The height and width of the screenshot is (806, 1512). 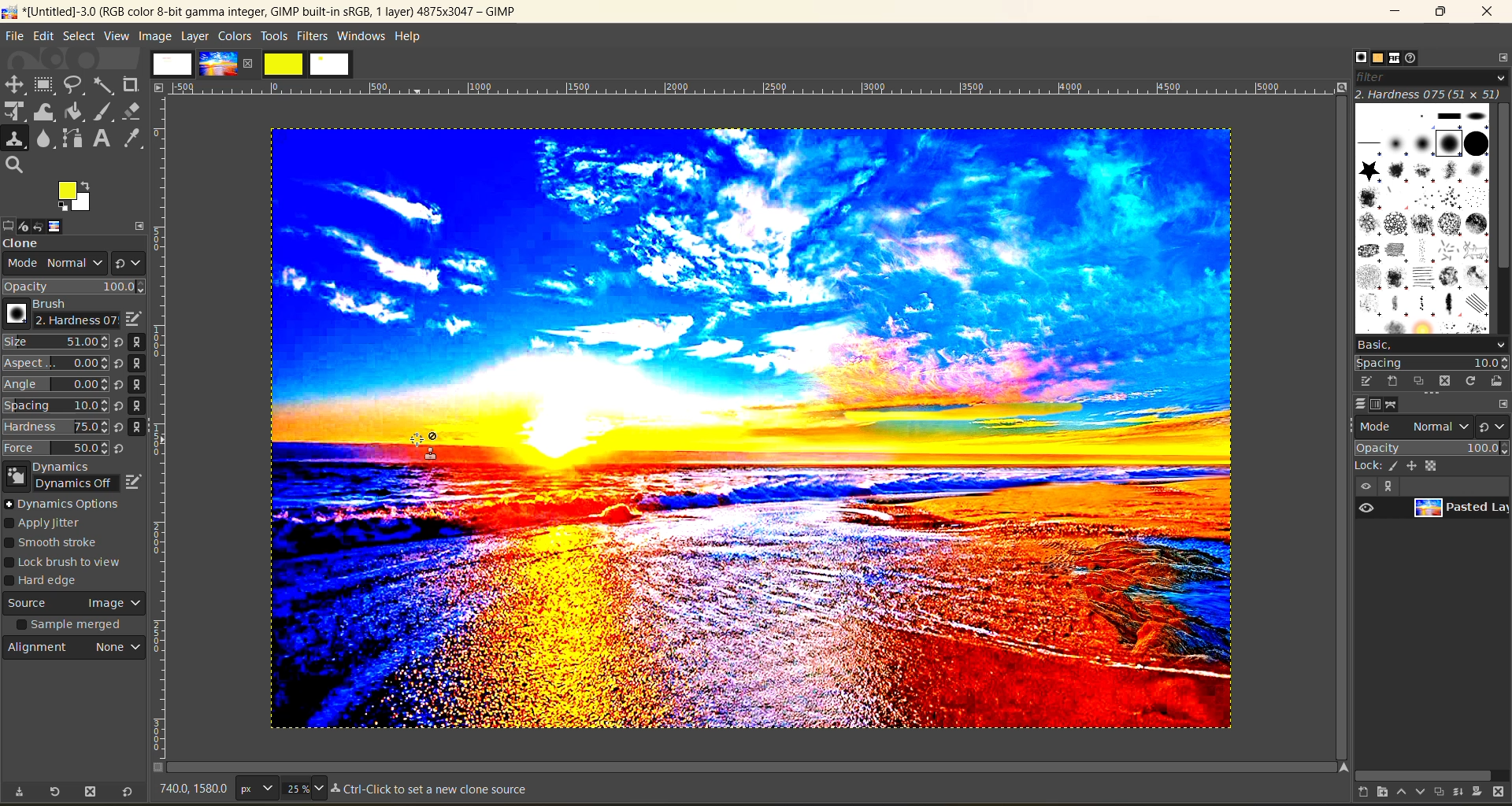 What do you see at coordinates (435, 790) in the screenshot?
I see `metadata` at bounding box center [435, 790].